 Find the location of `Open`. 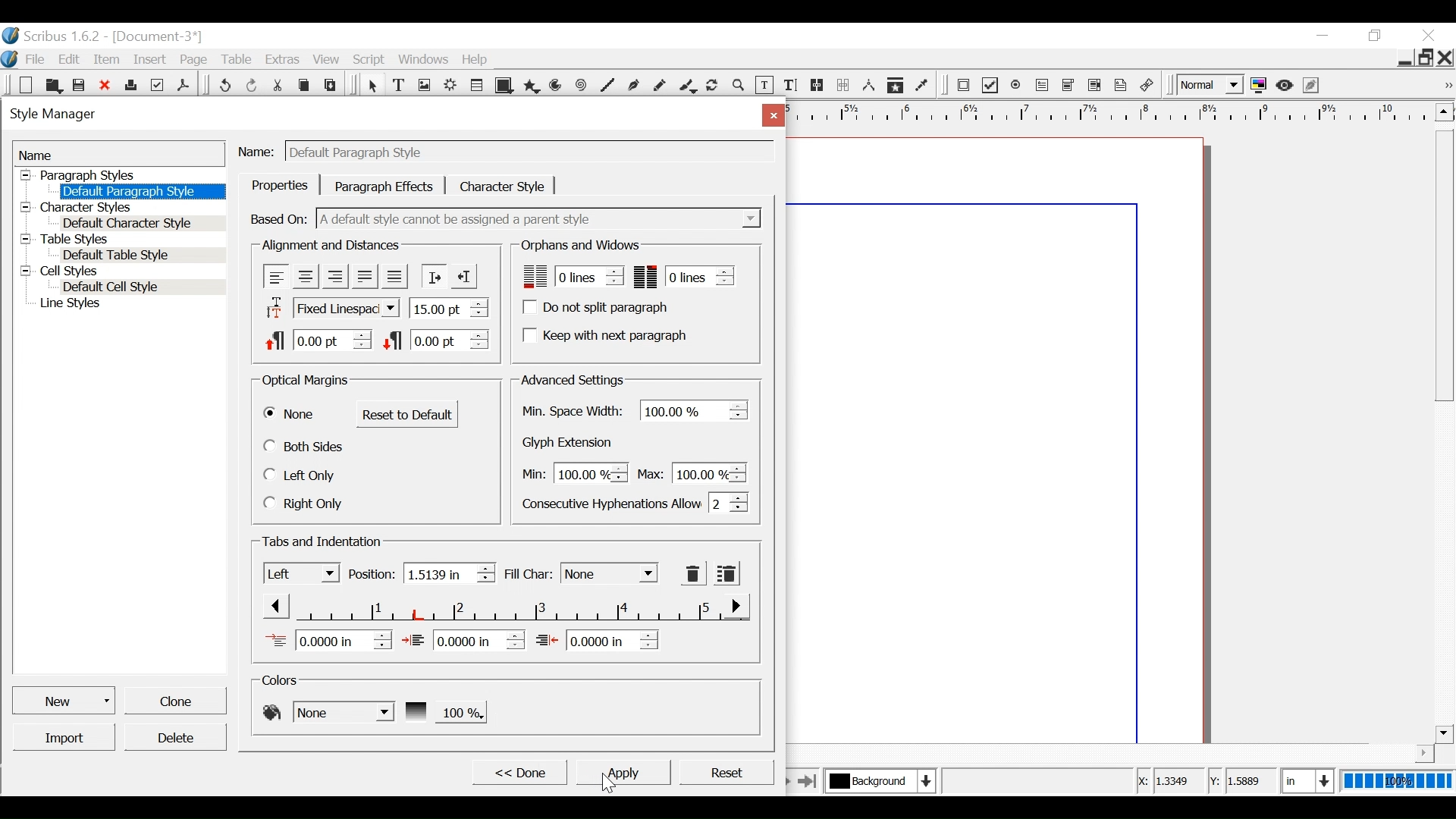

Open is located at coordinates (52, 85).